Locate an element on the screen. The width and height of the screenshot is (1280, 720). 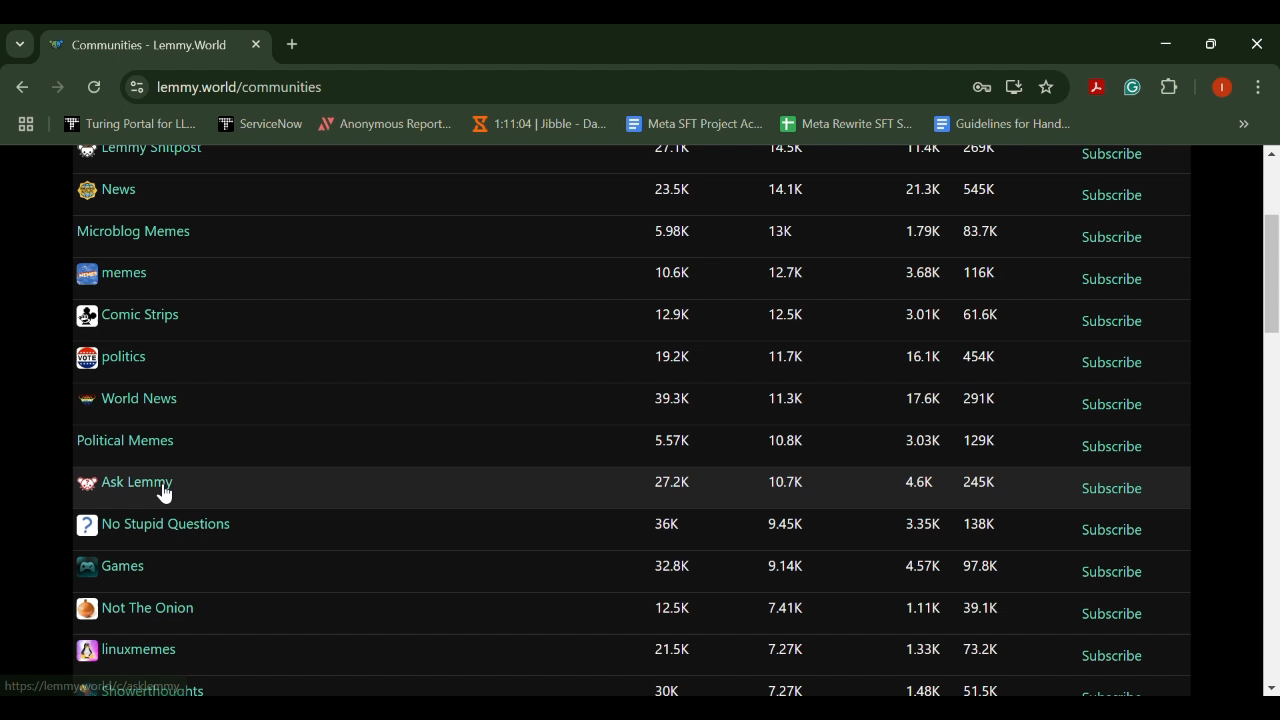
ServiceNow is located at coordinates (261, 123).